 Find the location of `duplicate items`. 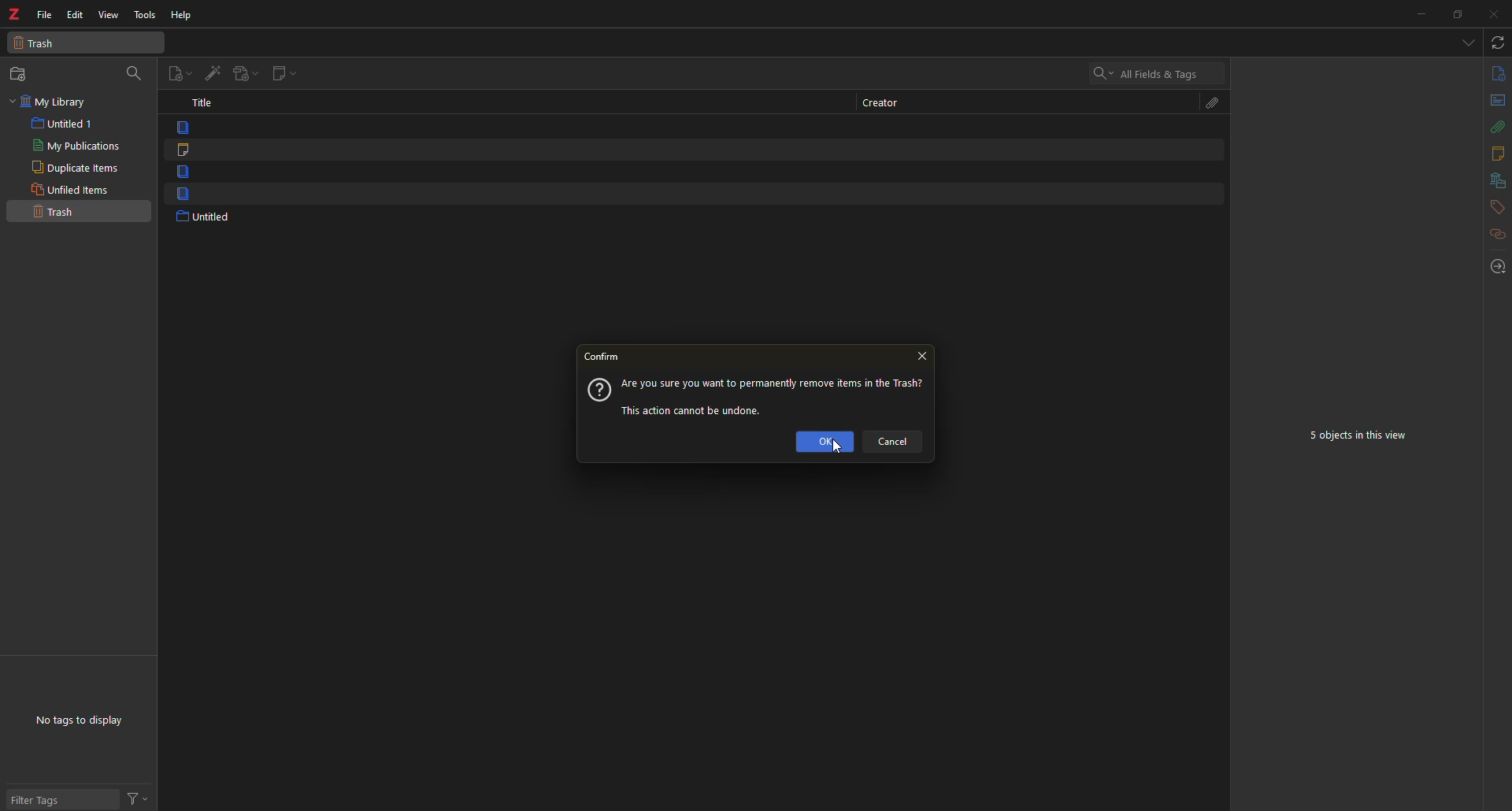

duplicate items is located at coordinates (75, 168).